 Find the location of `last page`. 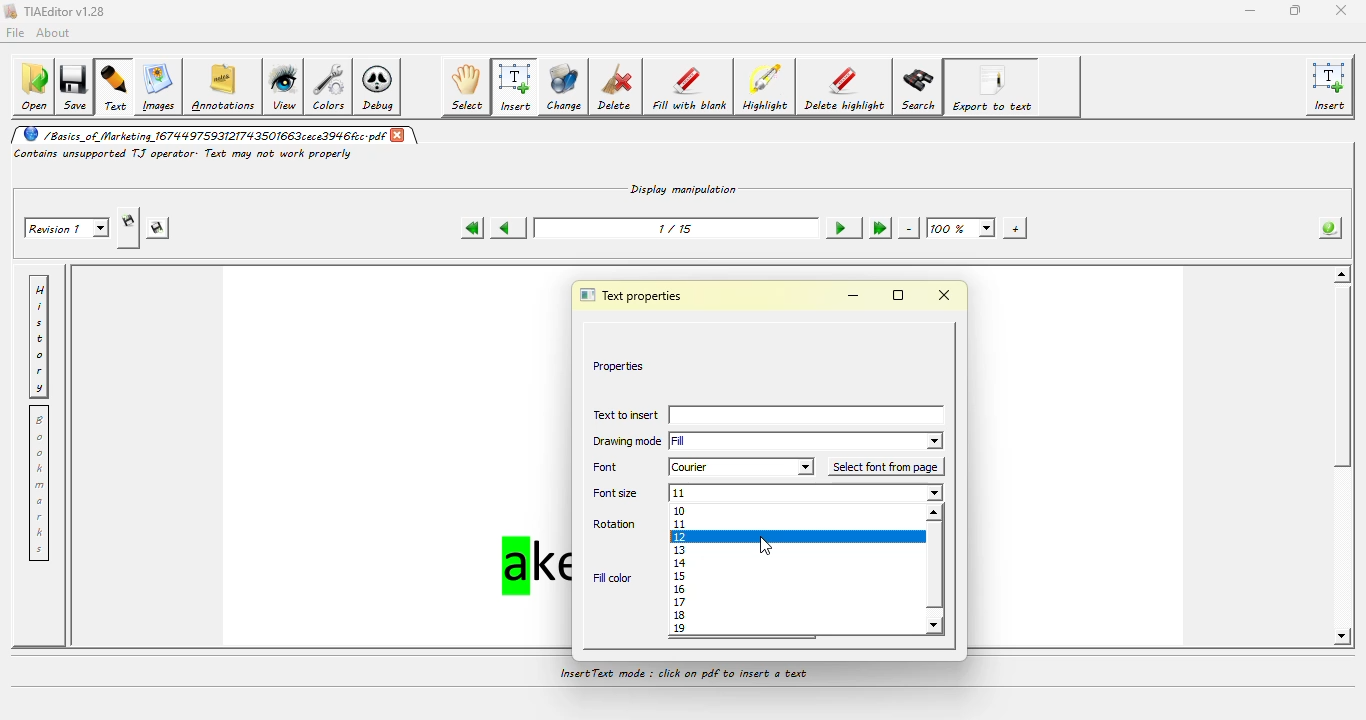

last page is located at coordinates (878, 227).